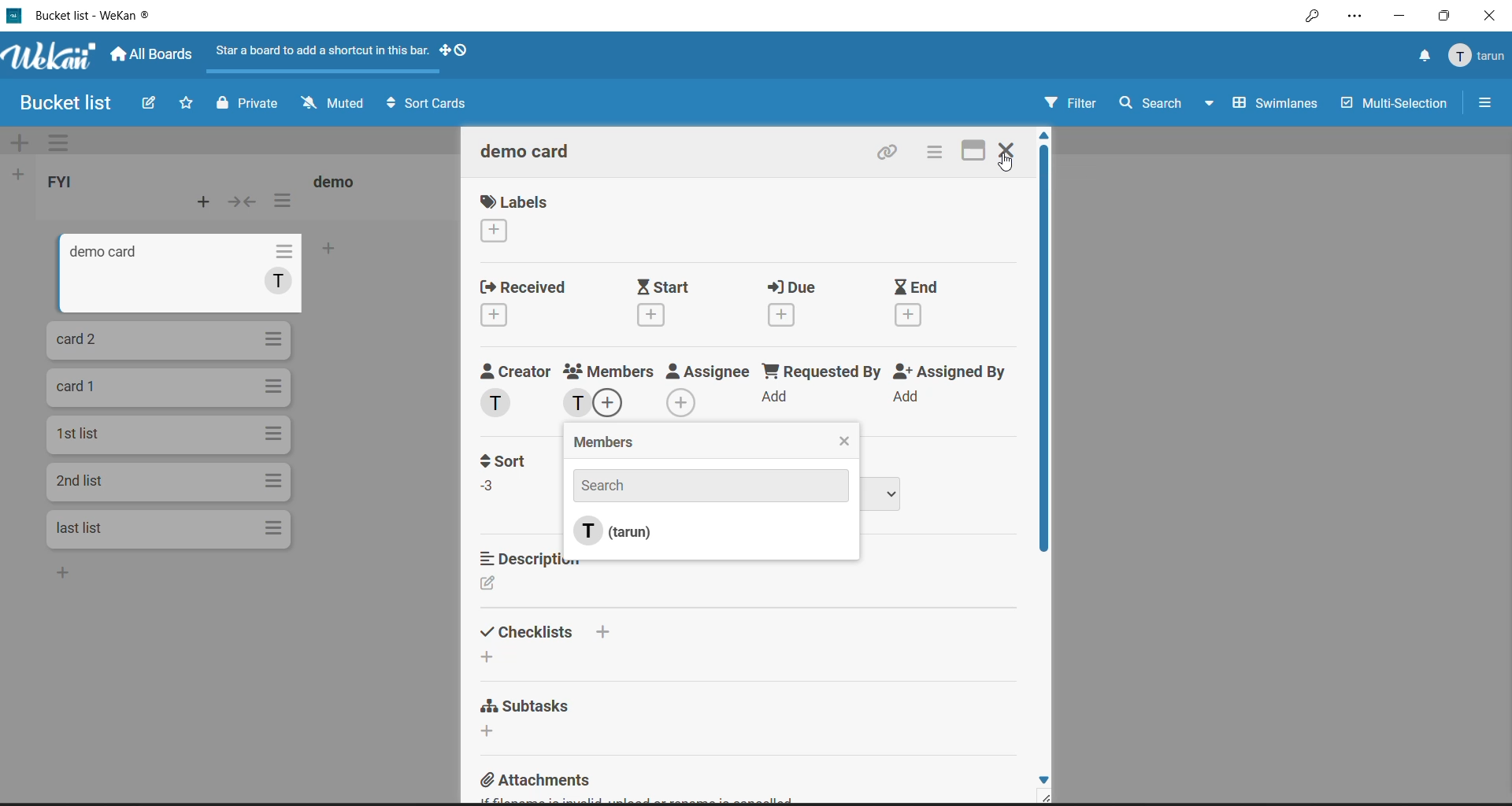  What do you see at coordinates (151, 104) in the screenshot?
I see `edit` at bounding box center [151, 104].